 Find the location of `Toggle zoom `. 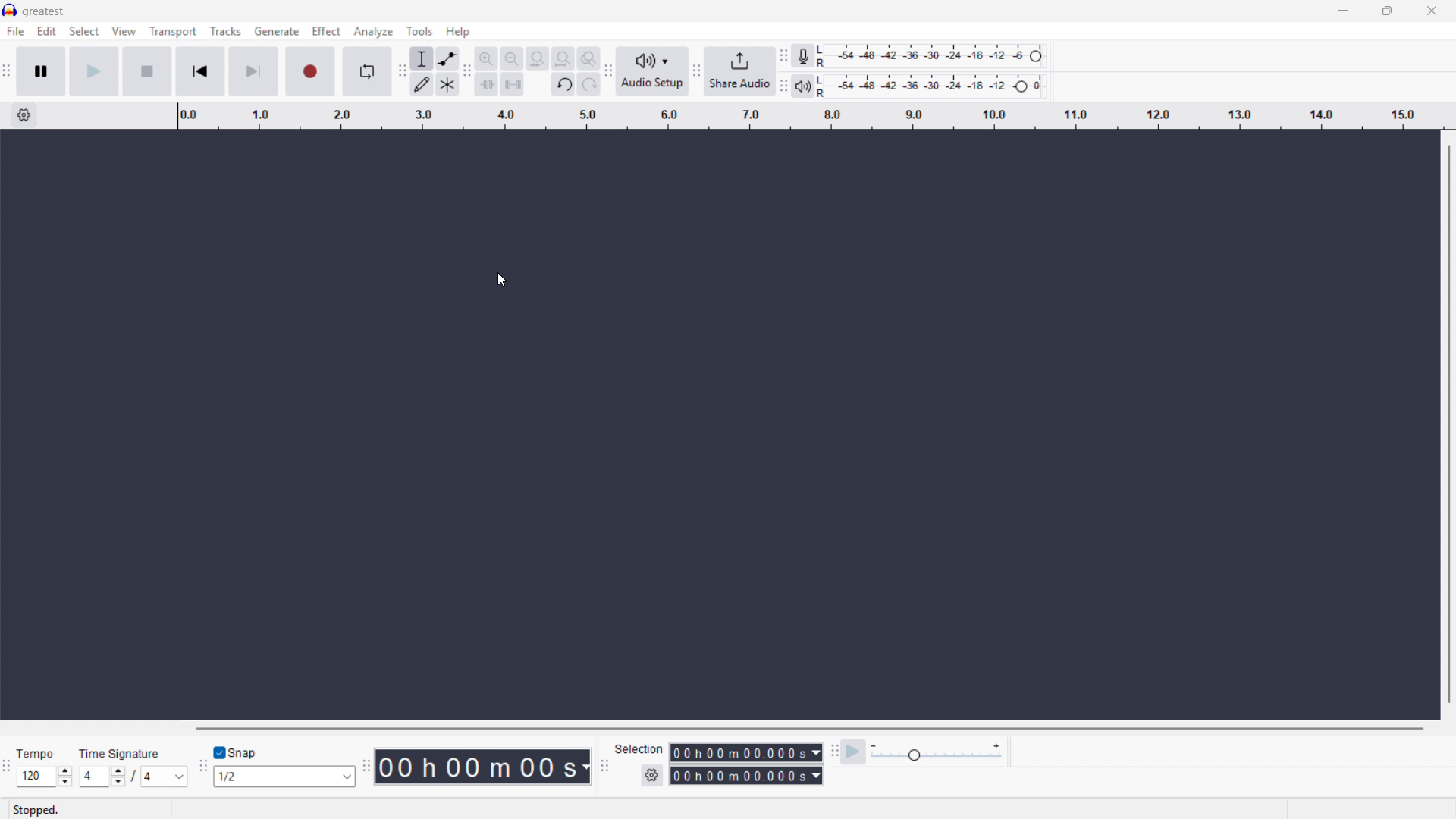

Toggle zoom  is located at coordinates (589, 58).